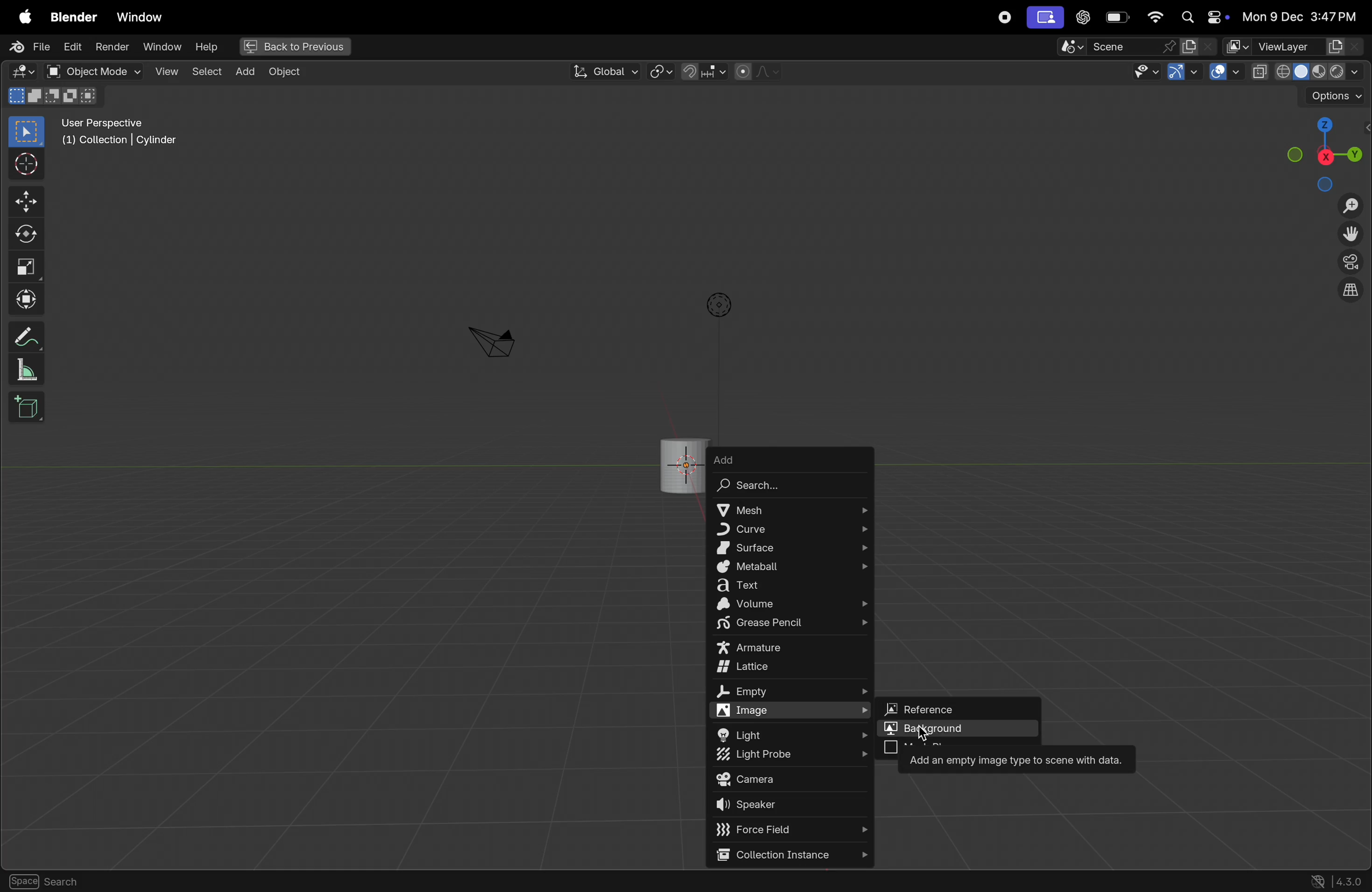  Describe the element at coordinates (21, 14) in the screenshot. I see `Apple menu` at that location.